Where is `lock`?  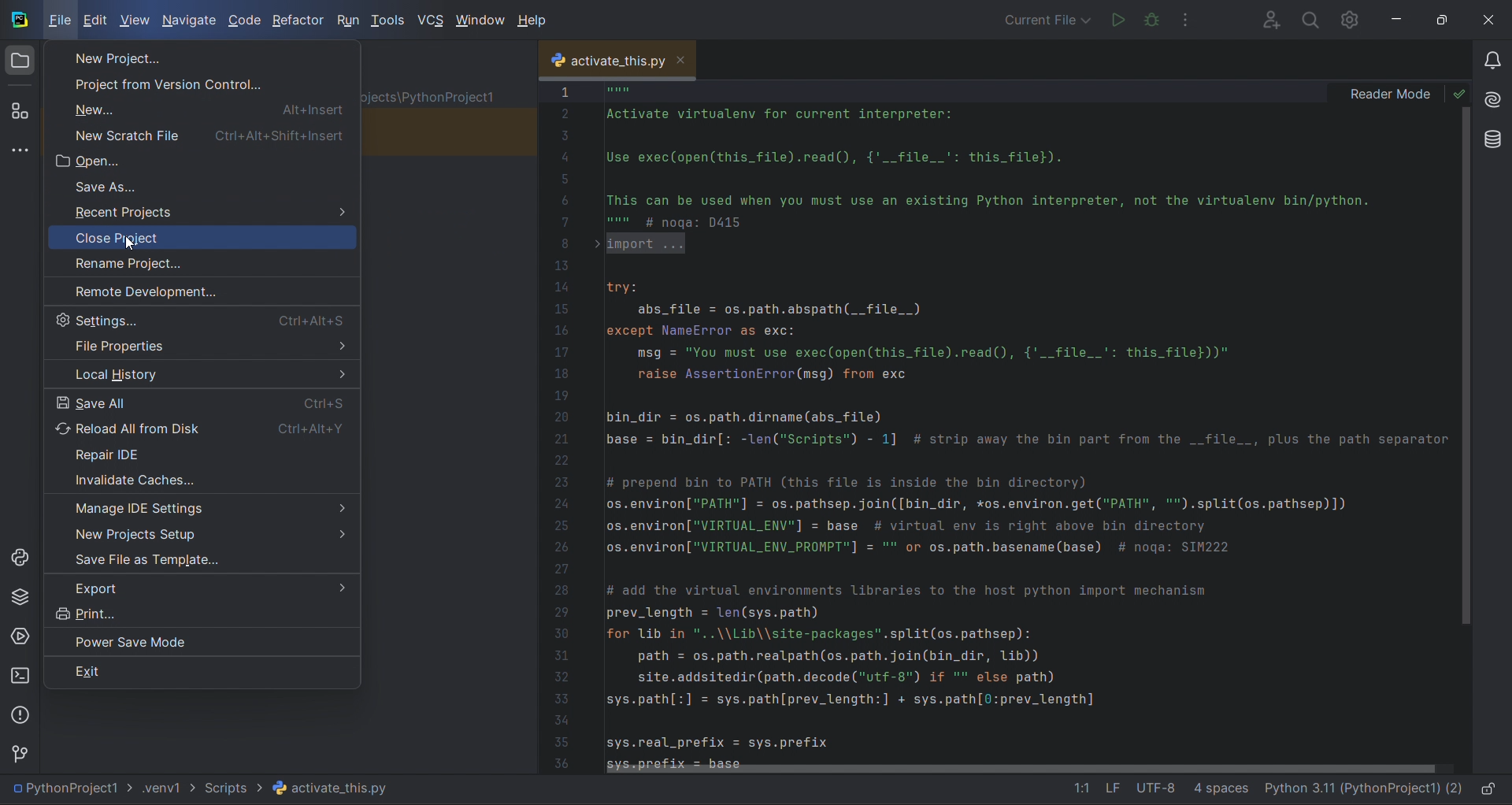 lock is located at coordinates (1492, 789).